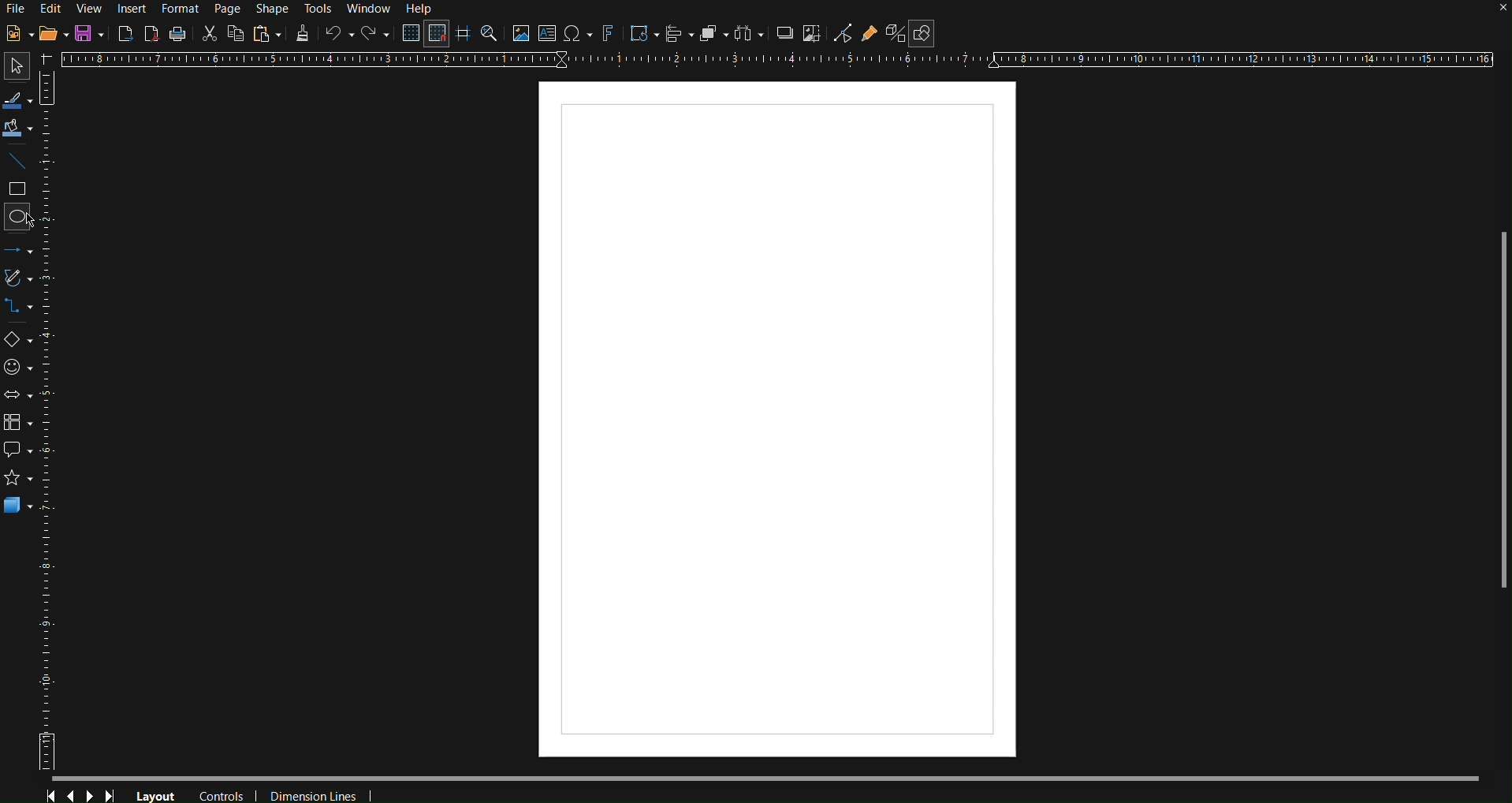 The image size is (1512, 803). Describe the element at coordinates (489, 35) in the screenshot. I see `Zoom and Pan` at that location.